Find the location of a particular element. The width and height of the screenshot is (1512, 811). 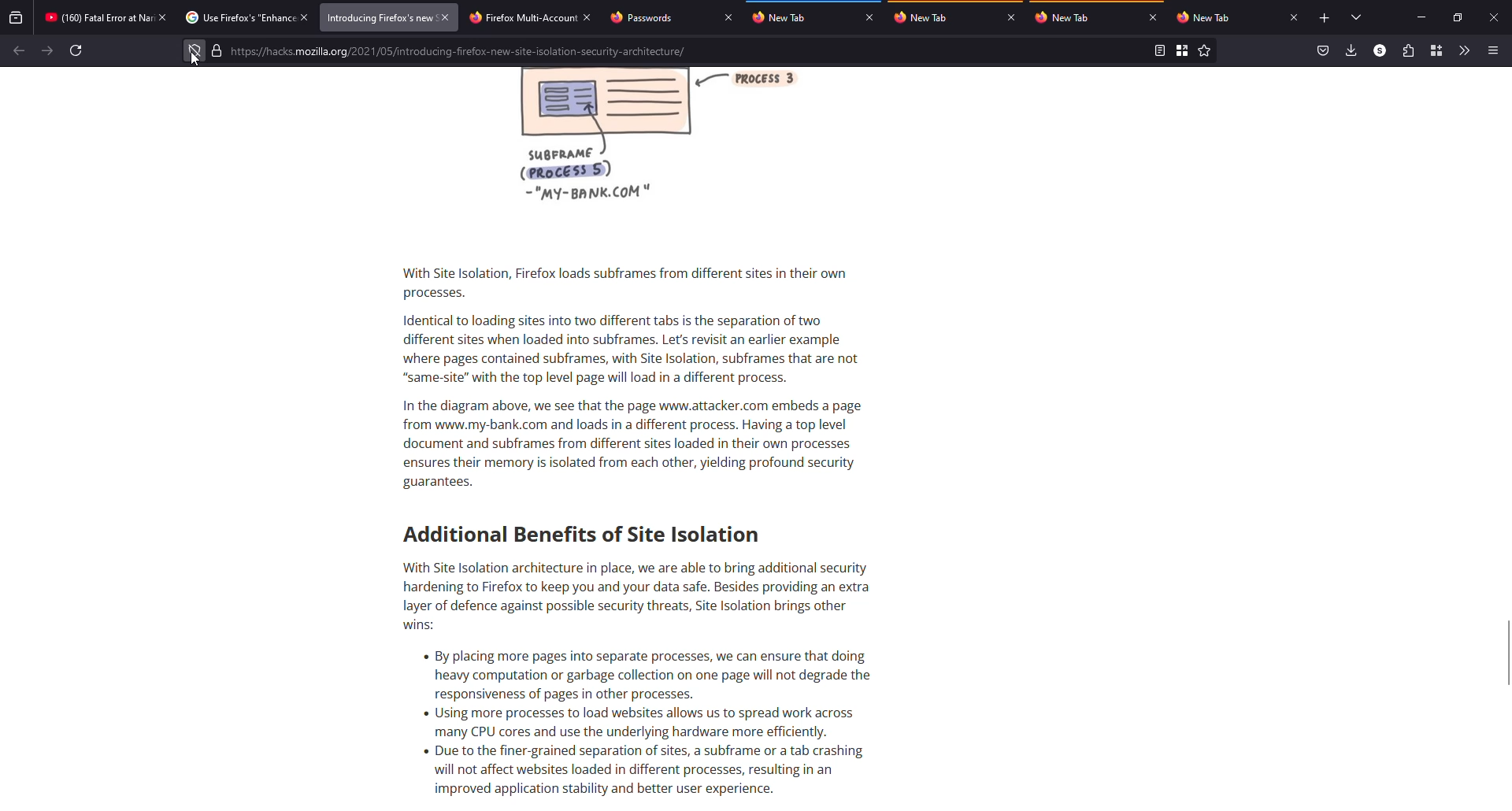

downloads is located at coordinates (1351, 50).